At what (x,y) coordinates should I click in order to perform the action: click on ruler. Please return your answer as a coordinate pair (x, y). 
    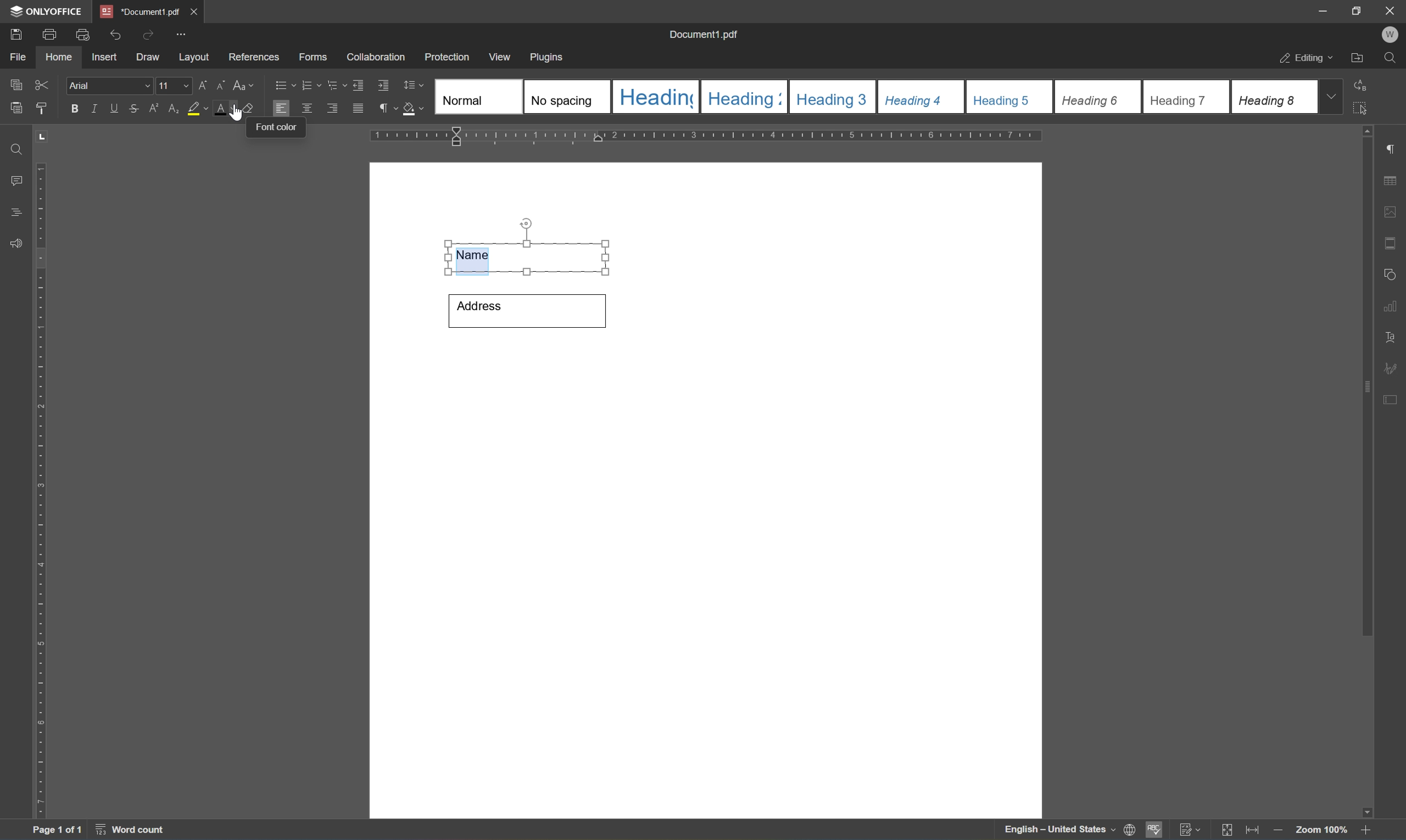
    Looking at the image, I should click on (41, 491).